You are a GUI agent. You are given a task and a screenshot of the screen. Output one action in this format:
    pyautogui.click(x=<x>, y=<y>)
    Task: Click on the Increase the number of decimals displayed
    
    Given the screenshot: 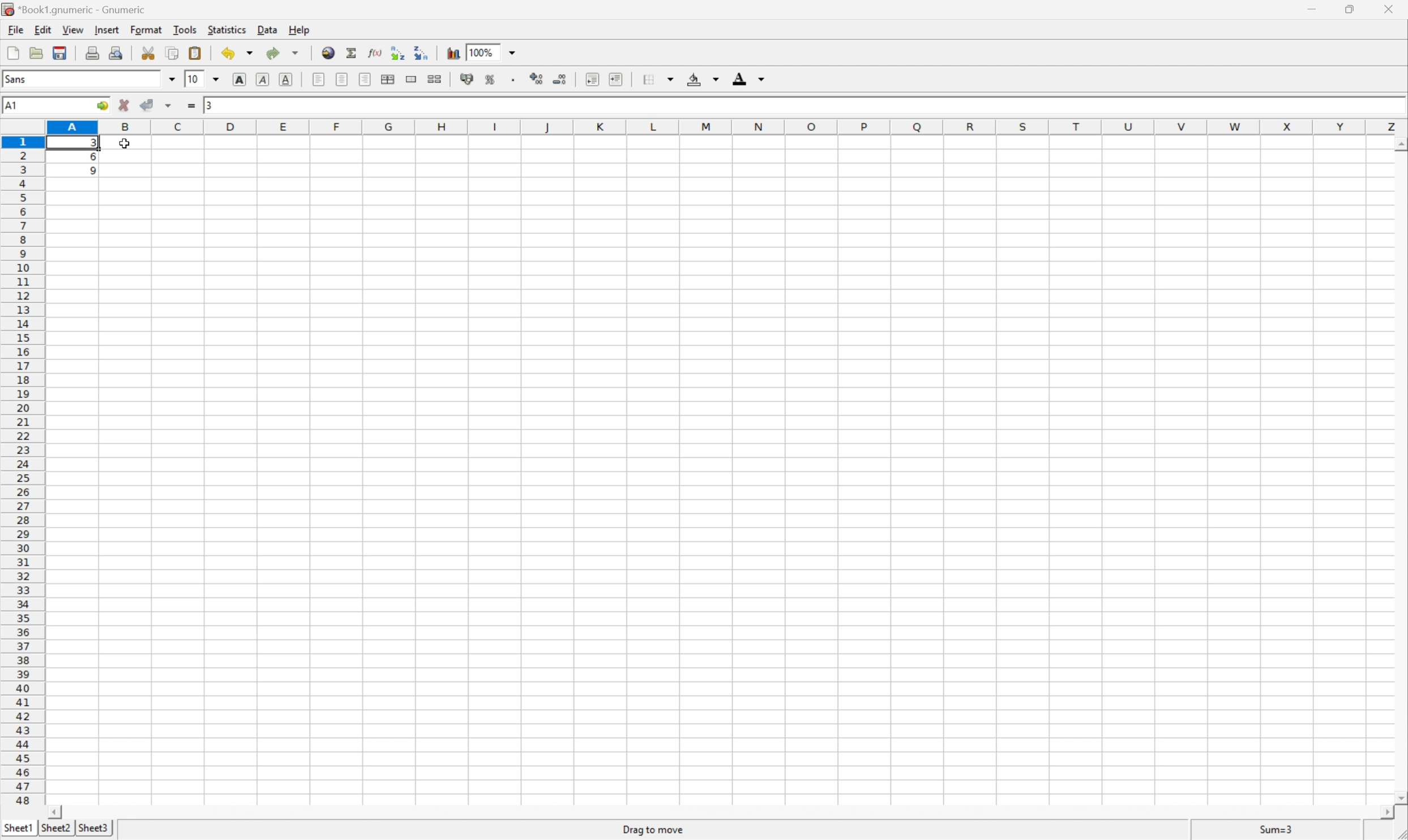 What is the action you would take?
    pyautogui.click(x=538, y=78)
    